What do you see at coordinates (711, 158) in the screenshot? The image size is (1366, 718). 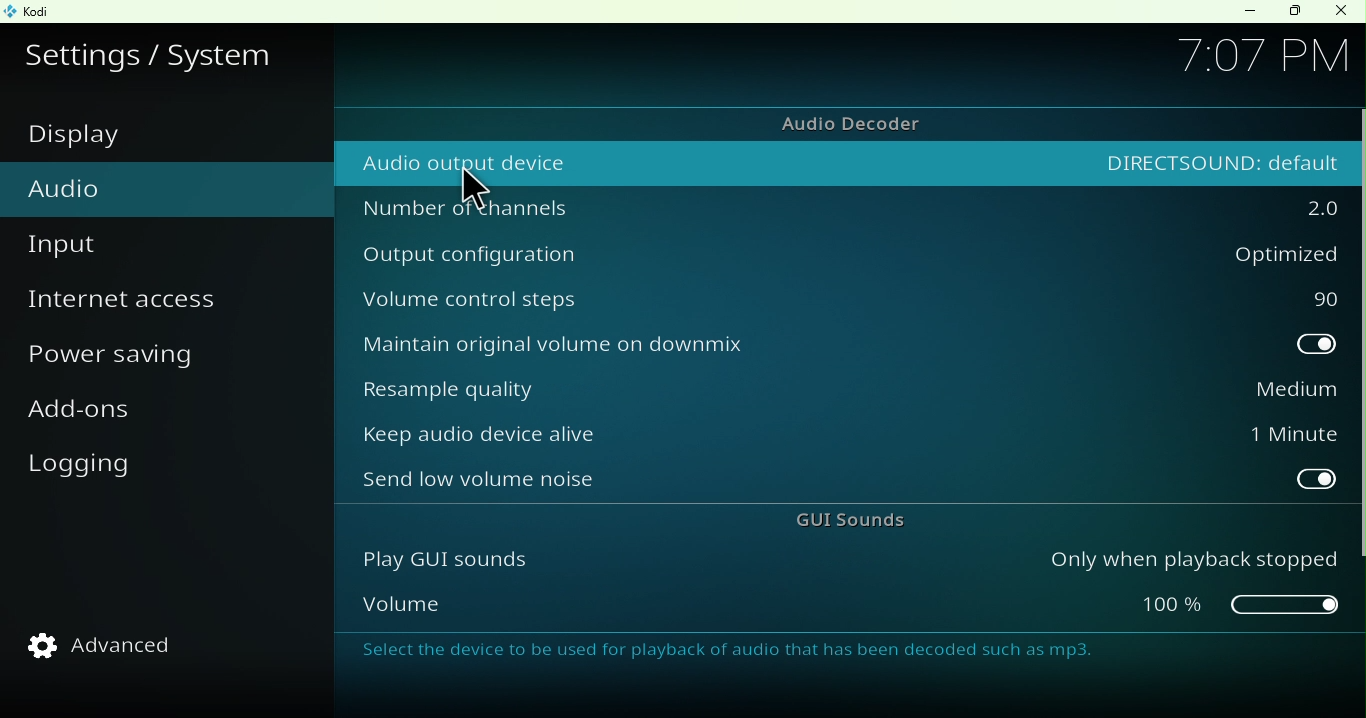 I see `Audio output device` at bounding box center [711, 158].